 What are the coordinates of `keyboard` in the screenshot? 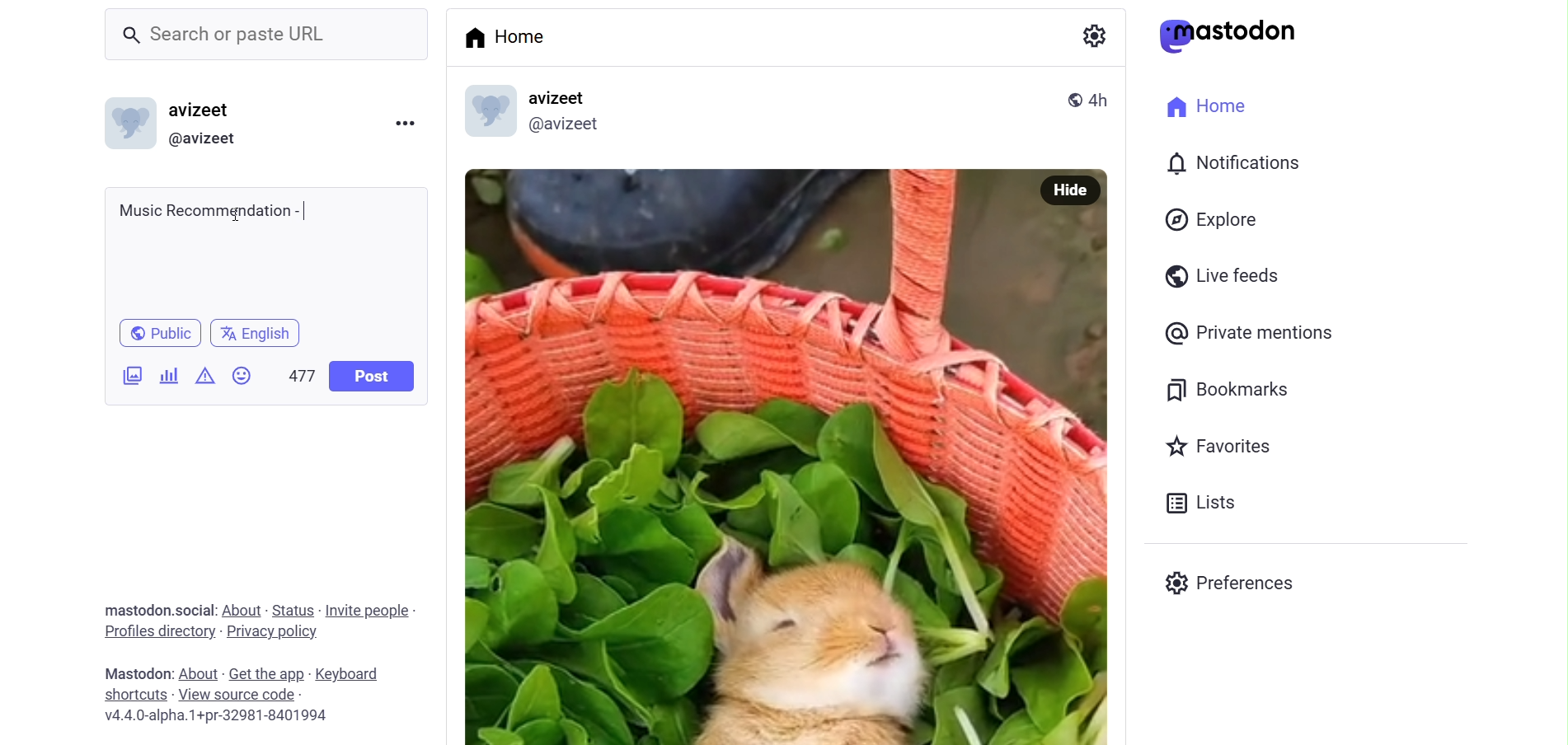 It's located at (351, 671).